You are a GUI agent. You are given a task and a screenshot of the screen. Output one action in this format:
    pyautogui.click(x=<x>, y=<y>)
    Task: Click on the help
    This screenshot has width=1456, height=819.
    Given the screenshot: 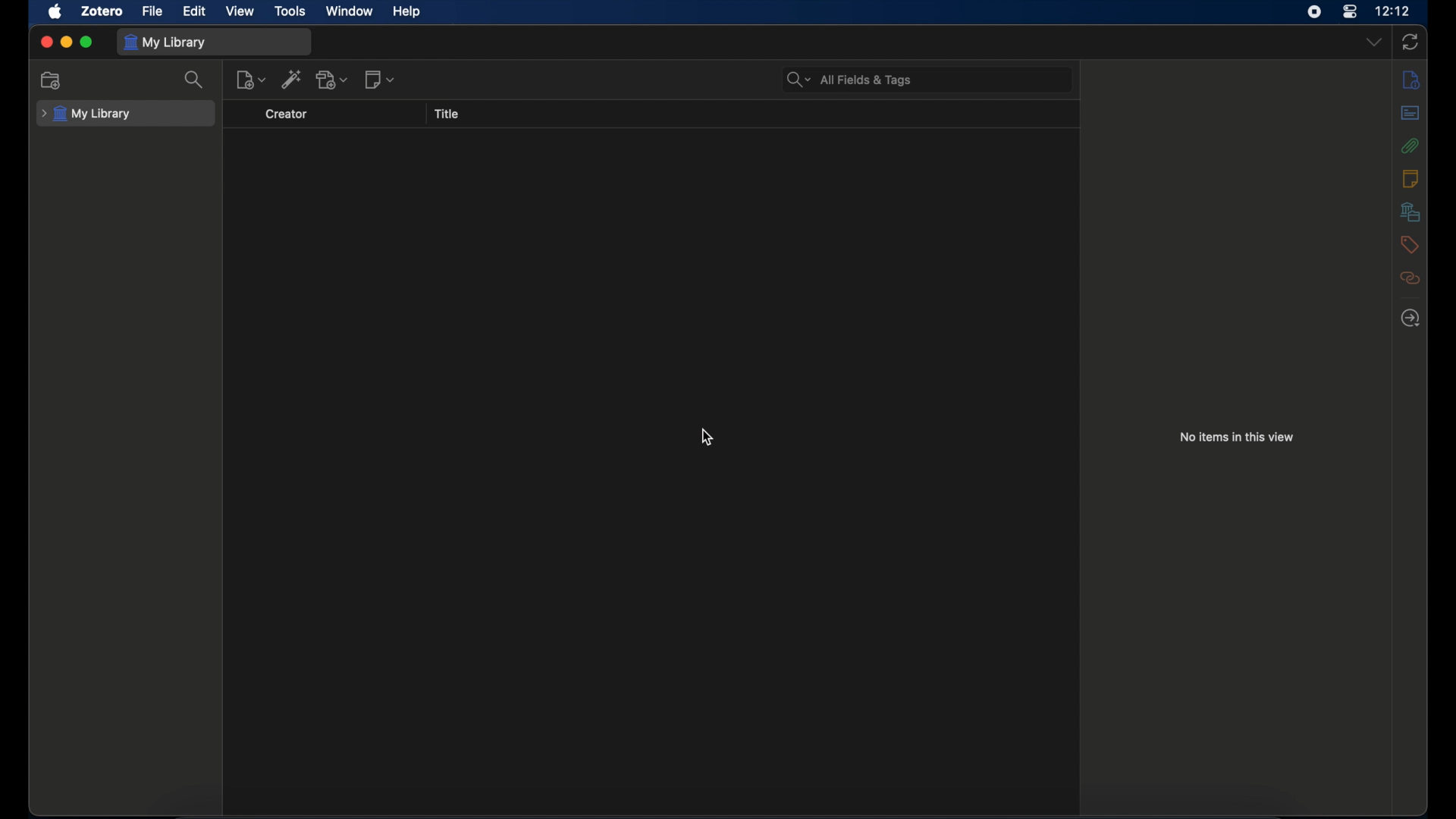 What is the action you would take?
    pyautogui.click(x=406, y=11)
    